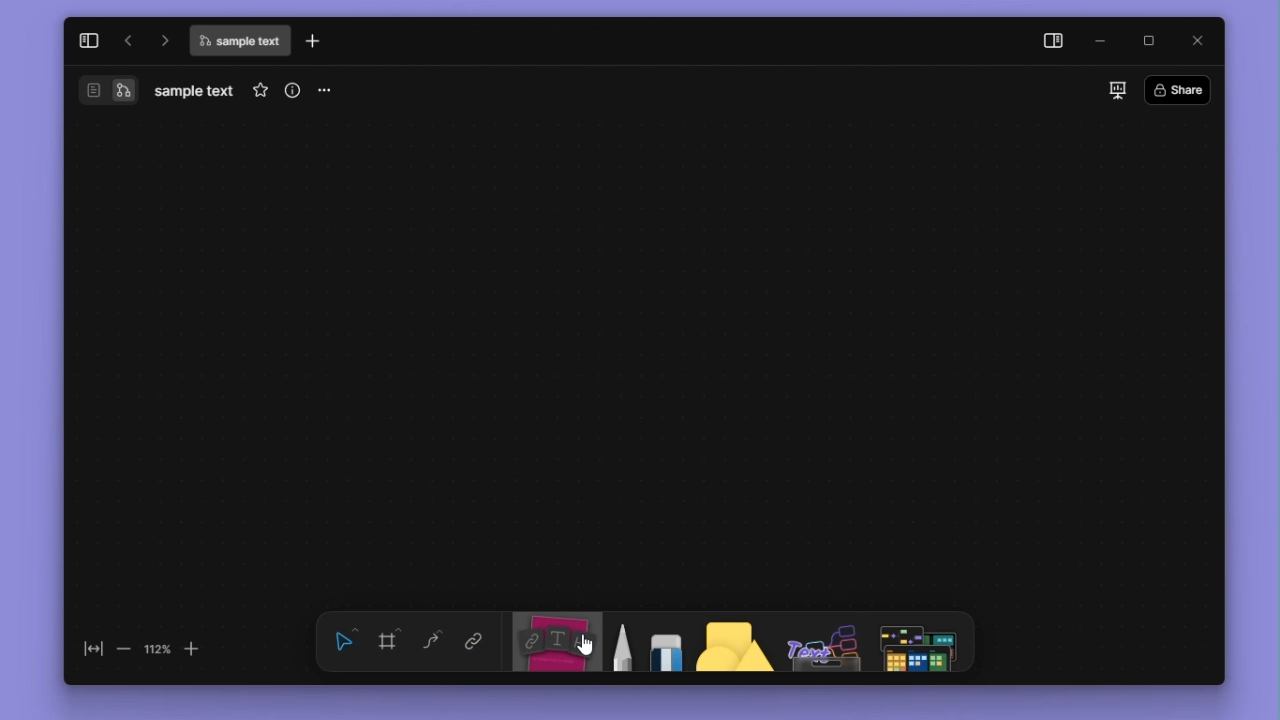 The height and width of the screenshot is (720, 1280). Describe the element at coordinates (824, 642) in the screenshot. I see `other` at that location.